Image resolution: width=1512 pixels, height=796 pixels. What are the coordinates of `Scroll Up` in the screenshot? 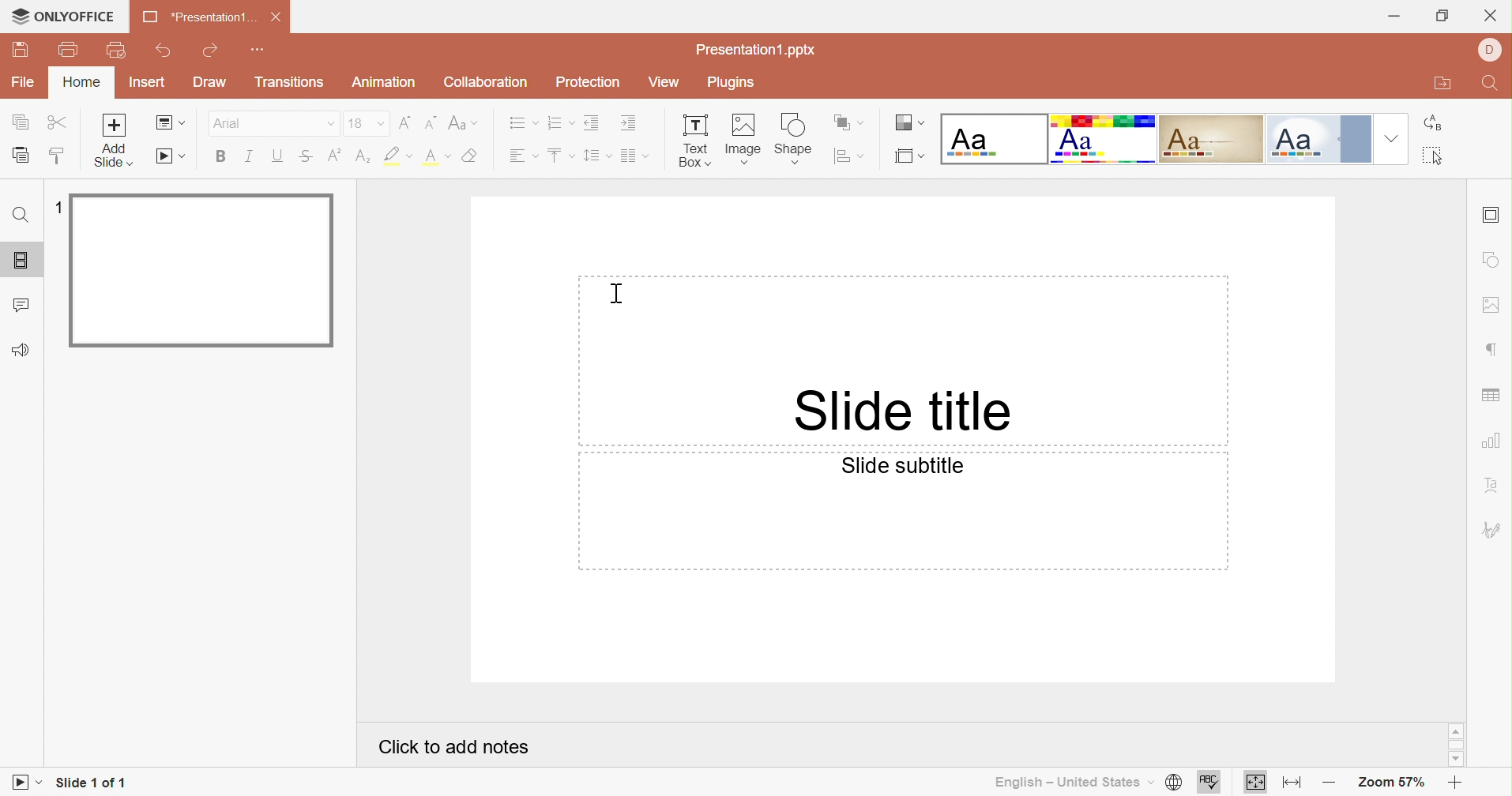 It's located at (1452, 731).